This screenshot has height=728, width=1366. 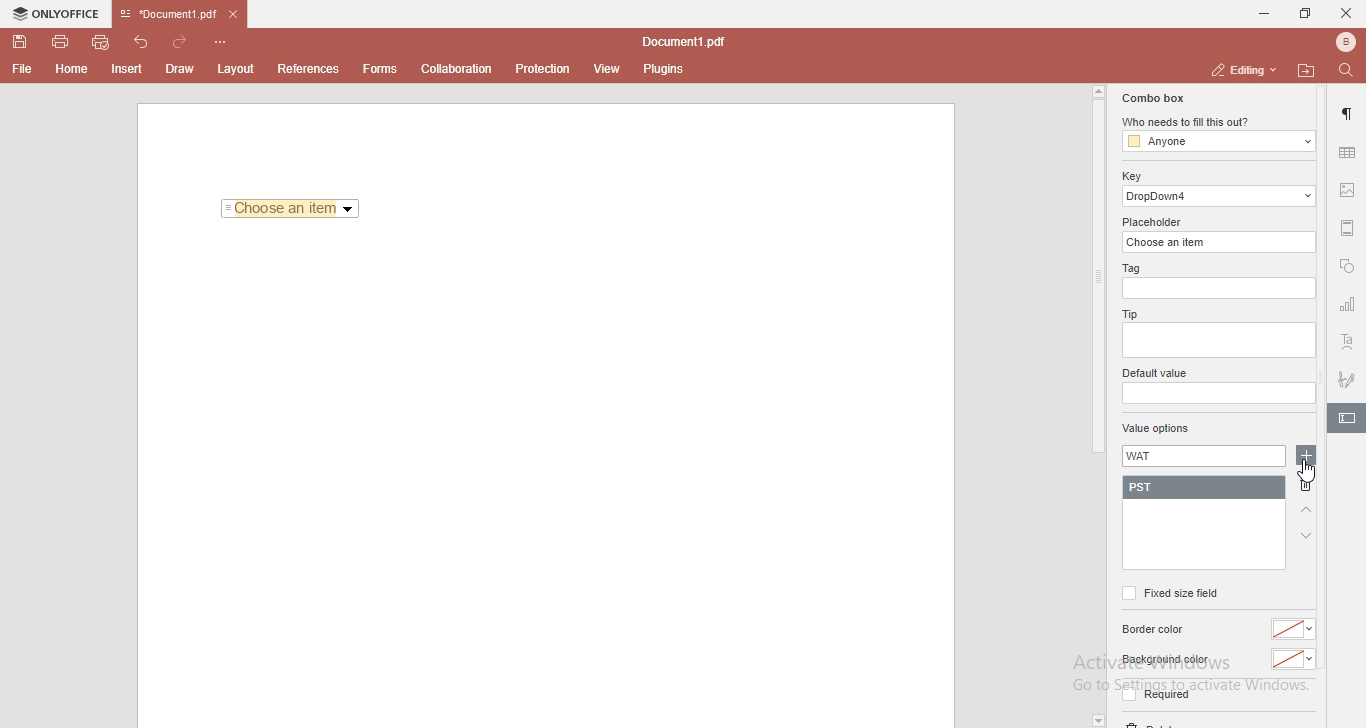 I want to click on protection, so click(x=543, y=68).